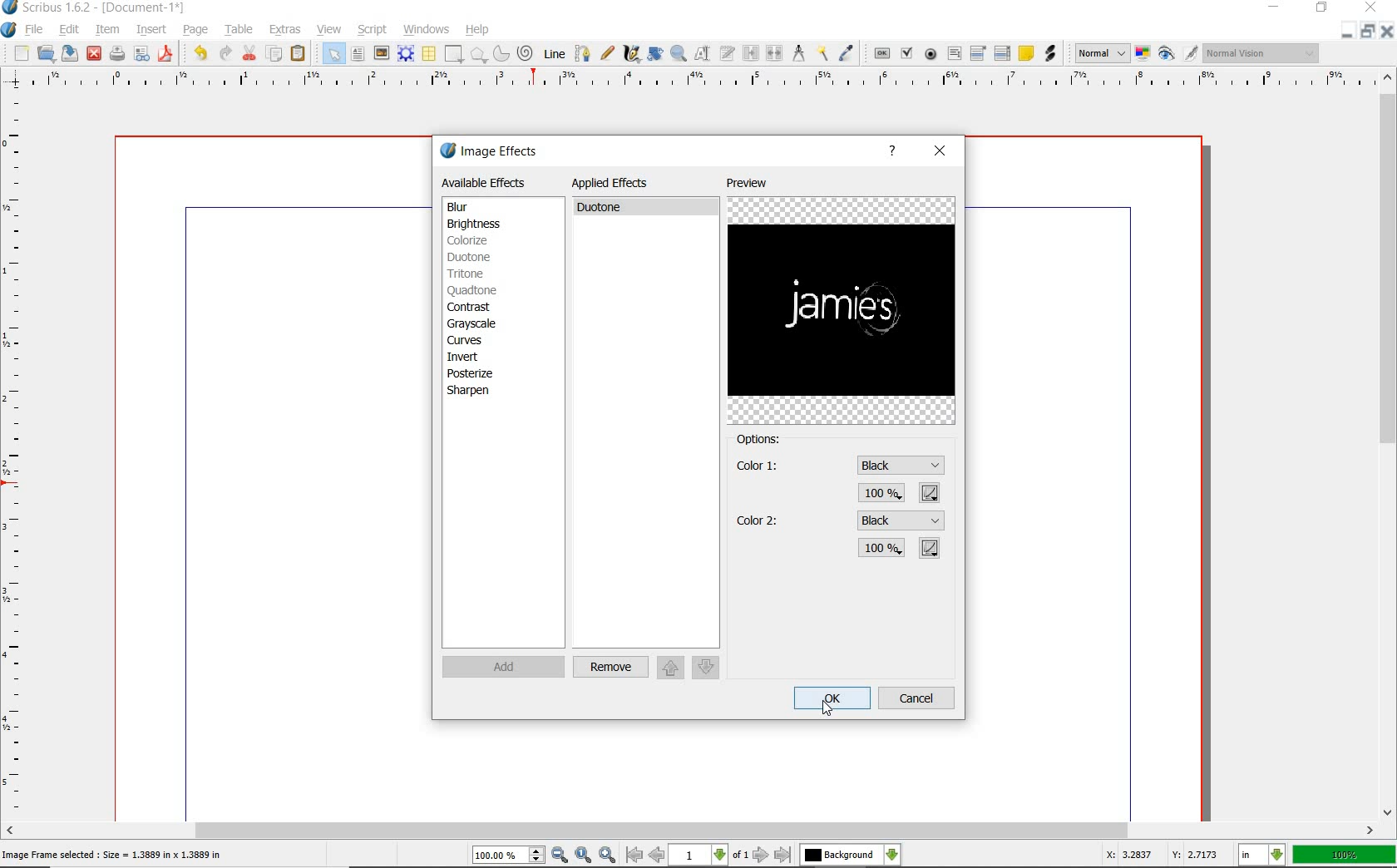 This screenshot has height=868, width=1397. I want to click on SELECT, so click(333, 53).